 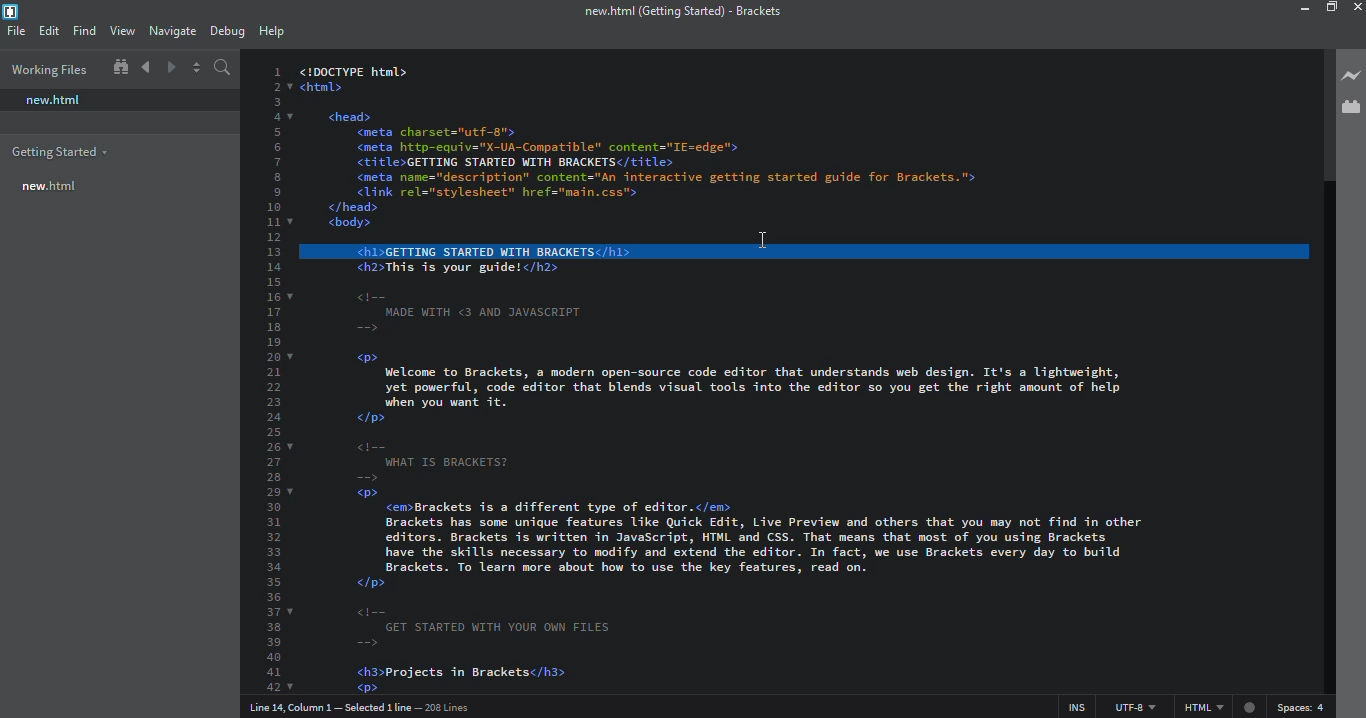 I want to click on getting started, so click(x=60, y=152).